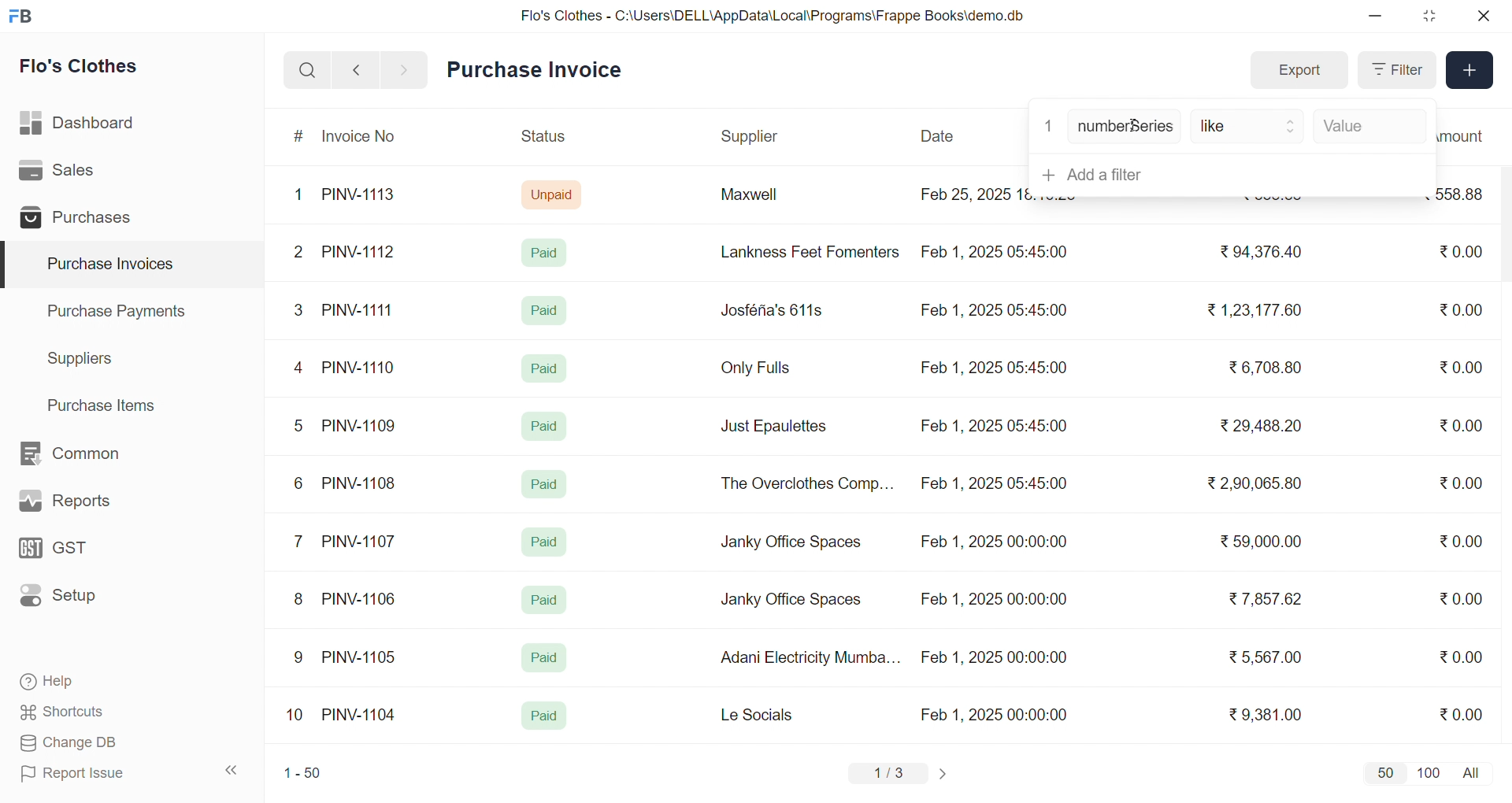  Describe the element at coordinates (992, 312) in the screenshot. I see `Feb 1, 2025 05:45:00` at that location.